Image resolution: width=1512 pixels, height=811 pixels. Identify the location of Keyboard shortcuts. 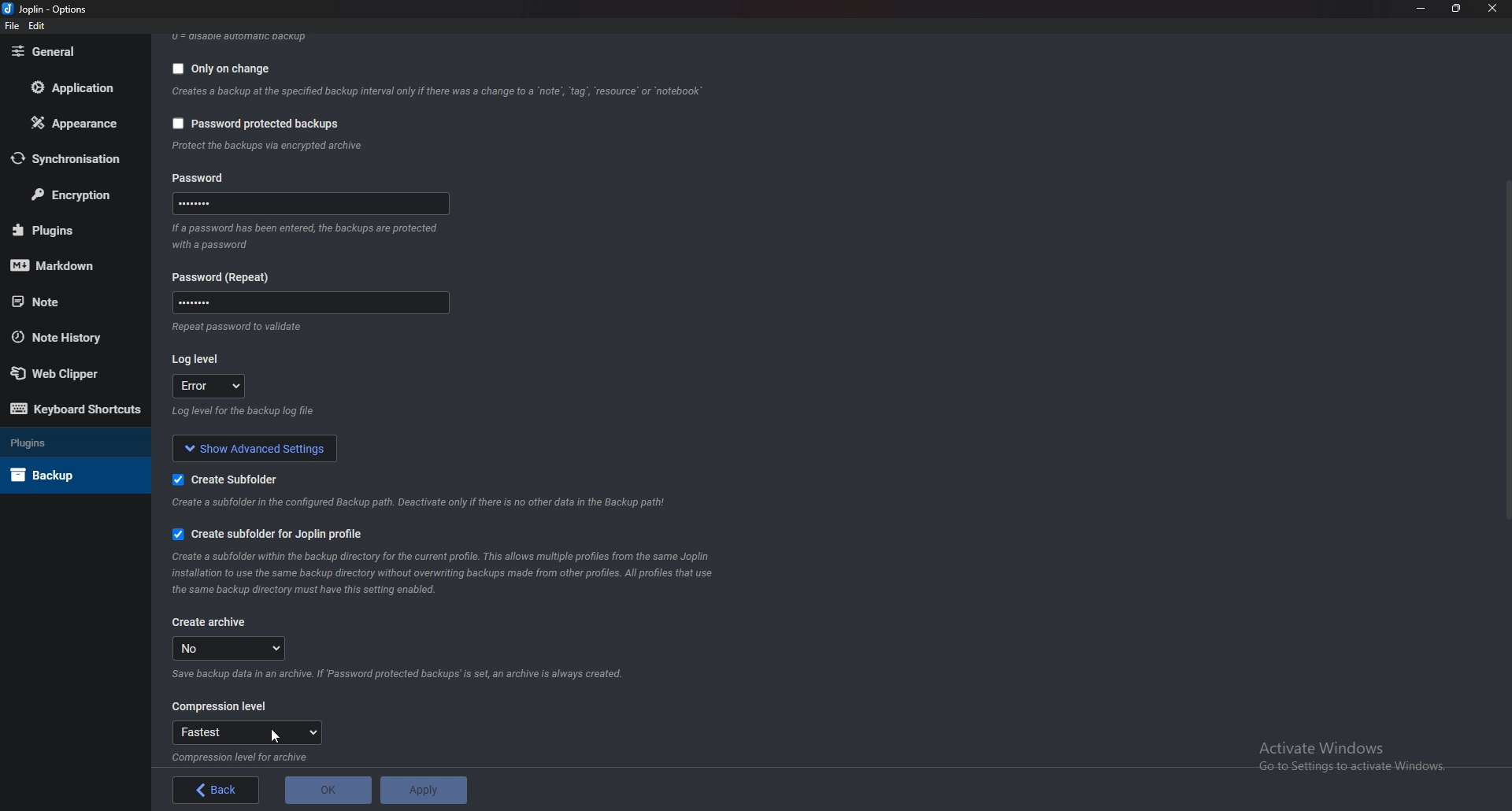
(72, 409).